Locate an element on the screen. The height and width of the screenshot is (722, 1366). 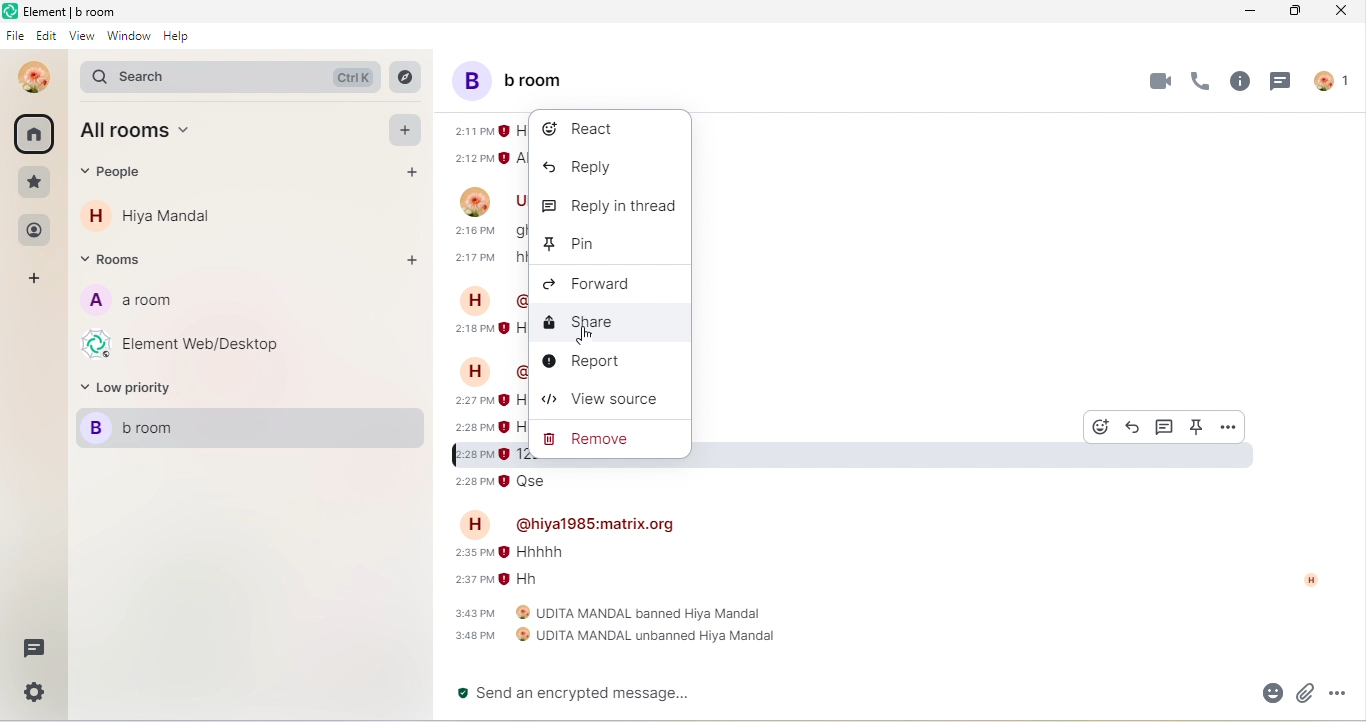
2:27 pm Hh is located at coordinates (488, 401).